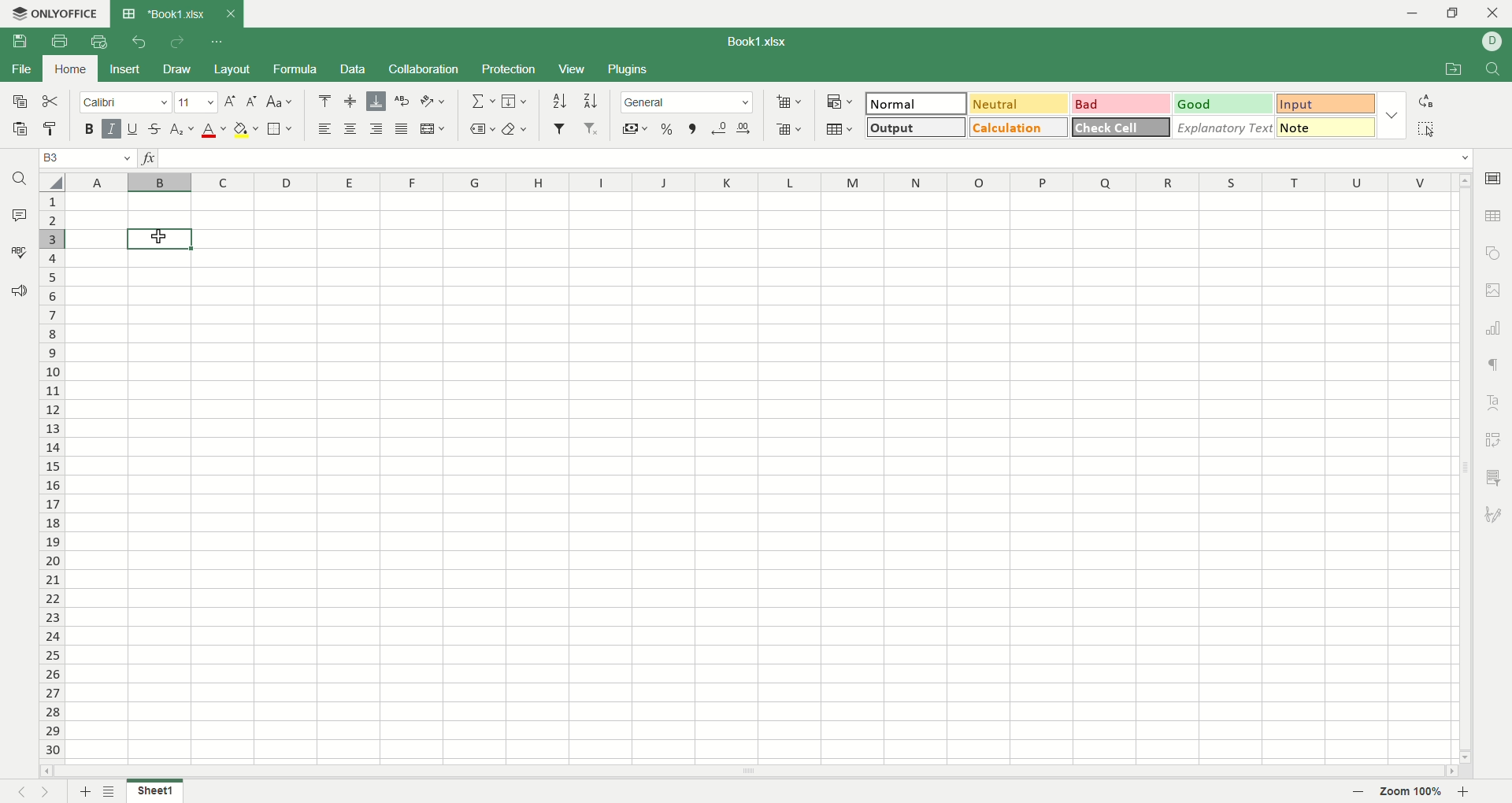 The width and height of the screenshot is (1512, 803). What do you see at coordinates (790, 103) in the screenshot?
I see `insert cell` at bounding box center [790, 103].